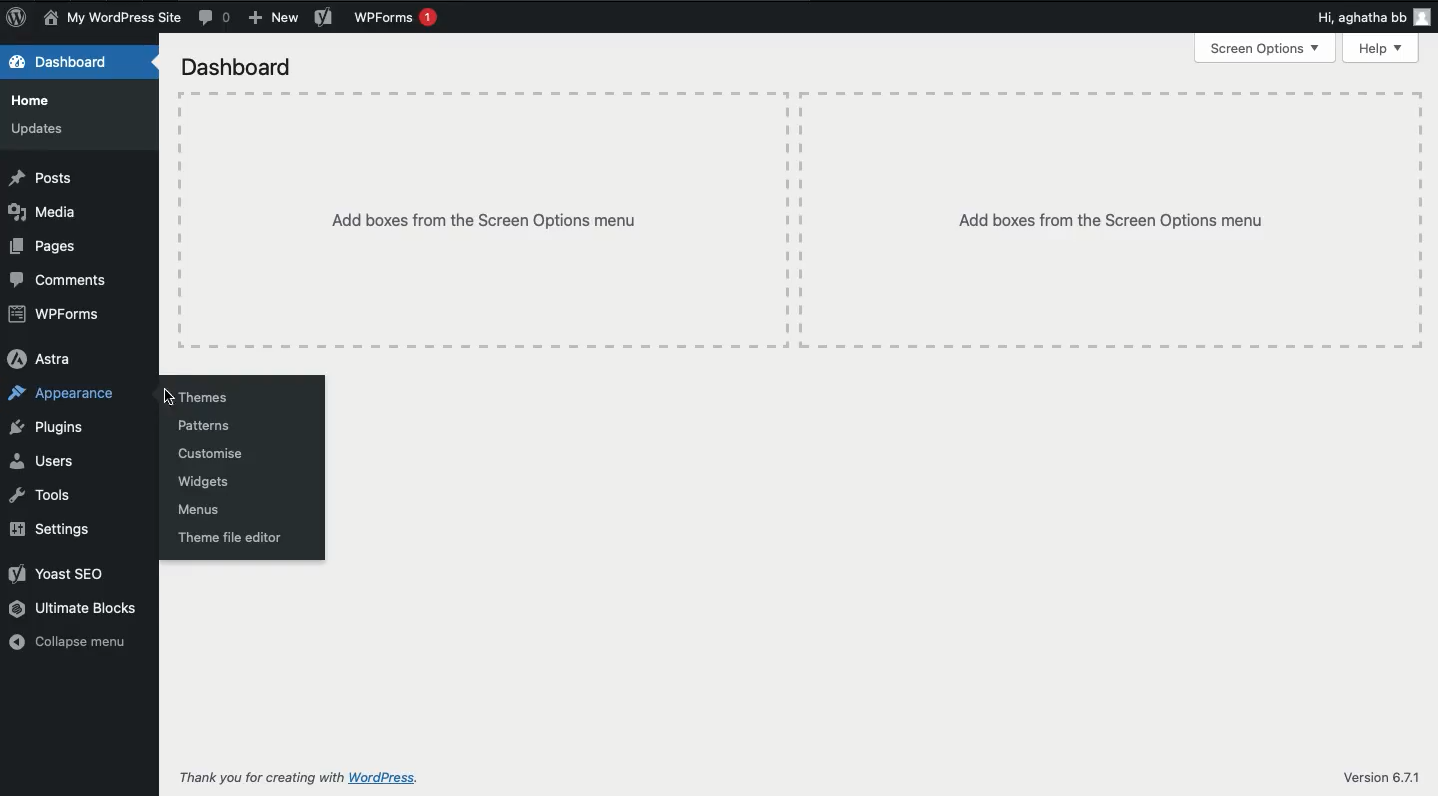 This screenshot has height=796, width=1438. What do you see at coordinates (1112, 222) in the screenshot?
I see `Add boxes from the screen options menu` at bounding box center [1112, 222].